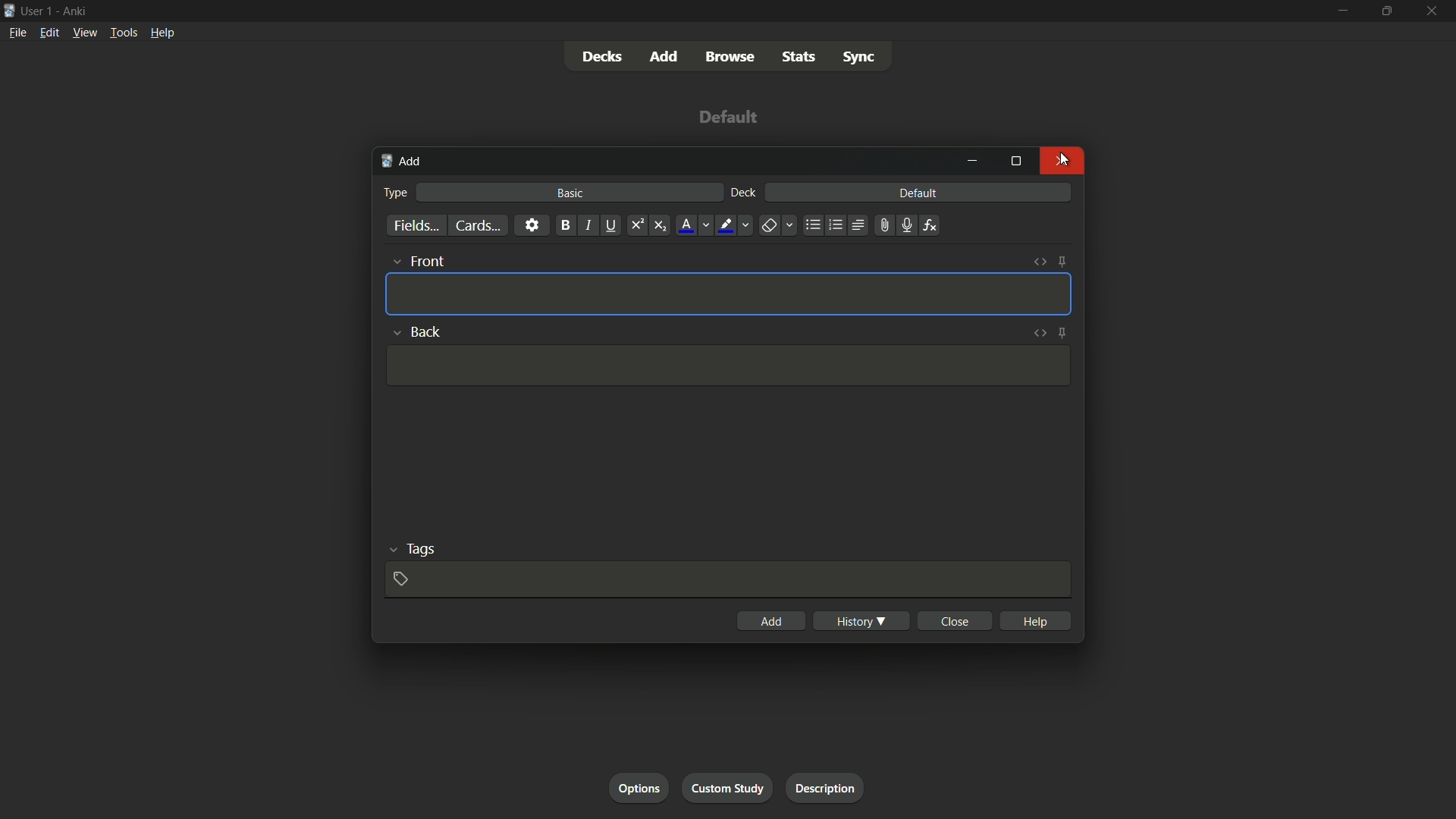 The image size is (1456, 819). What do you see at coordinates (1015, 162) in the screenshot?
I see `maximize` at bounding box center [1015, 162].